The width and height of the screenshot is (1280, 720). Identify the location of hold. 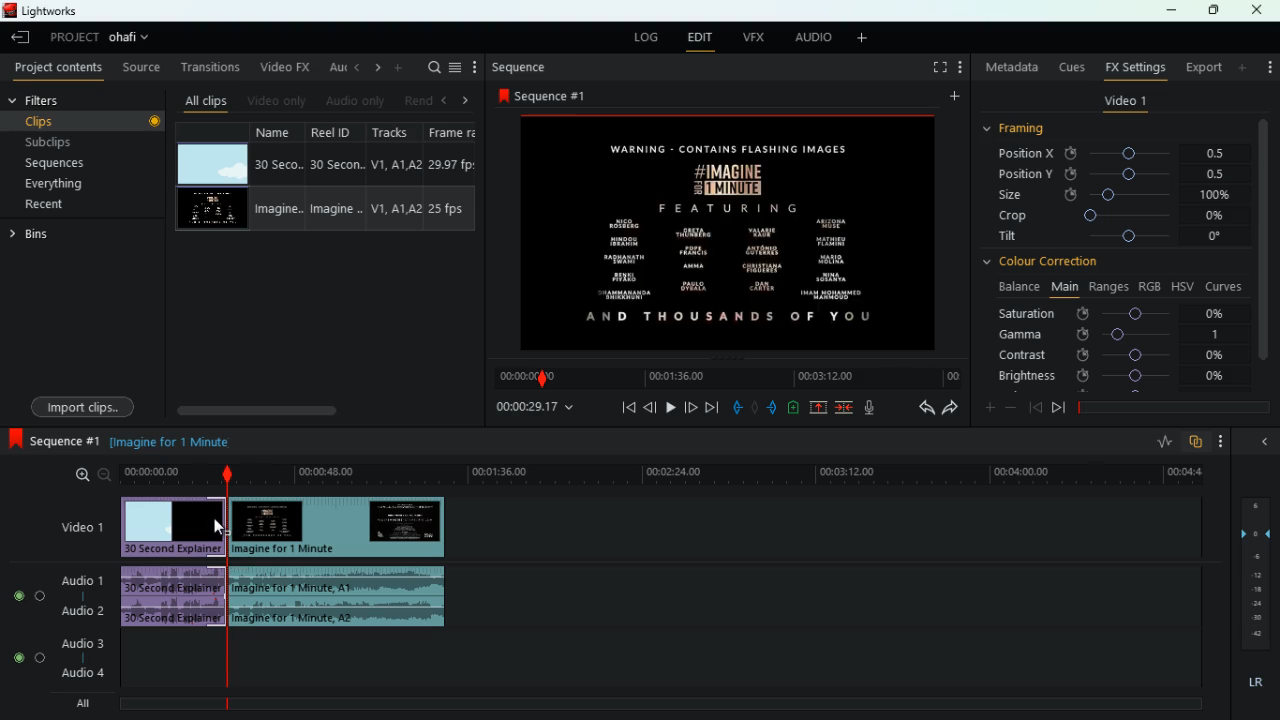
(757, 410).